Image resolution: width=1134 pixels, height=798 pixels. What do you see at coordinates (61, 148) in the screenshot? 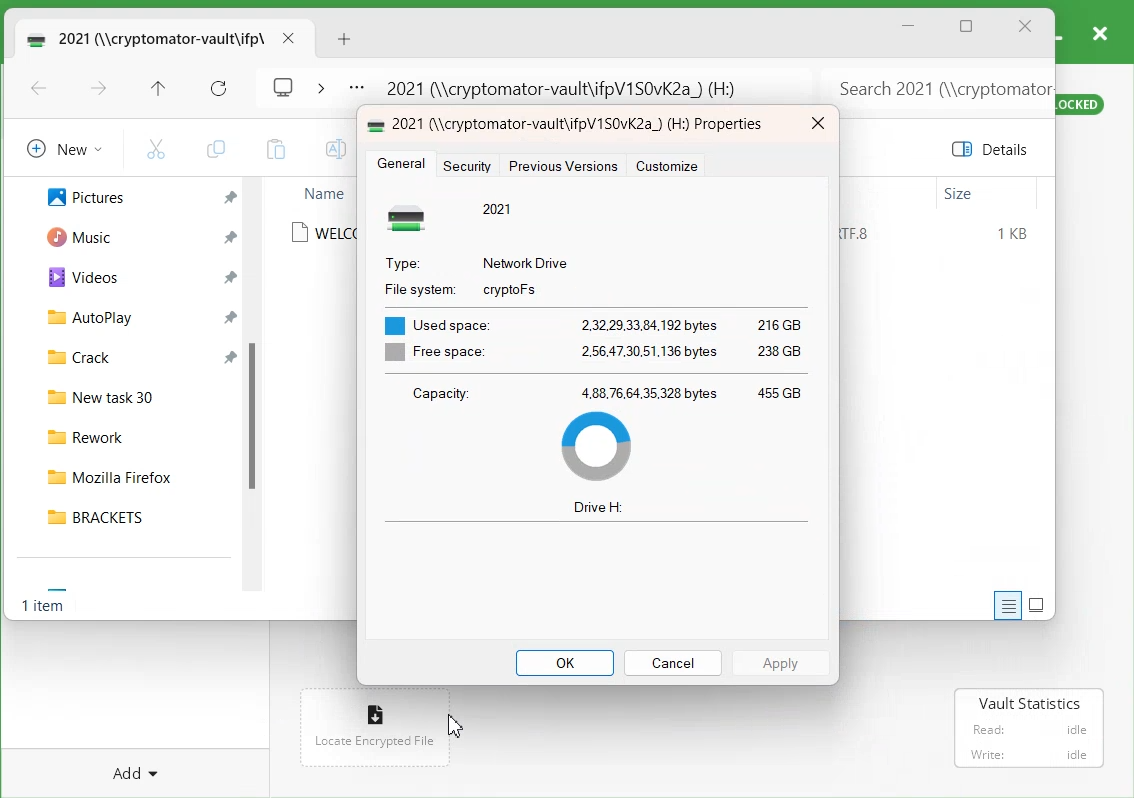
I see `New` at bounding box center [61, 148].